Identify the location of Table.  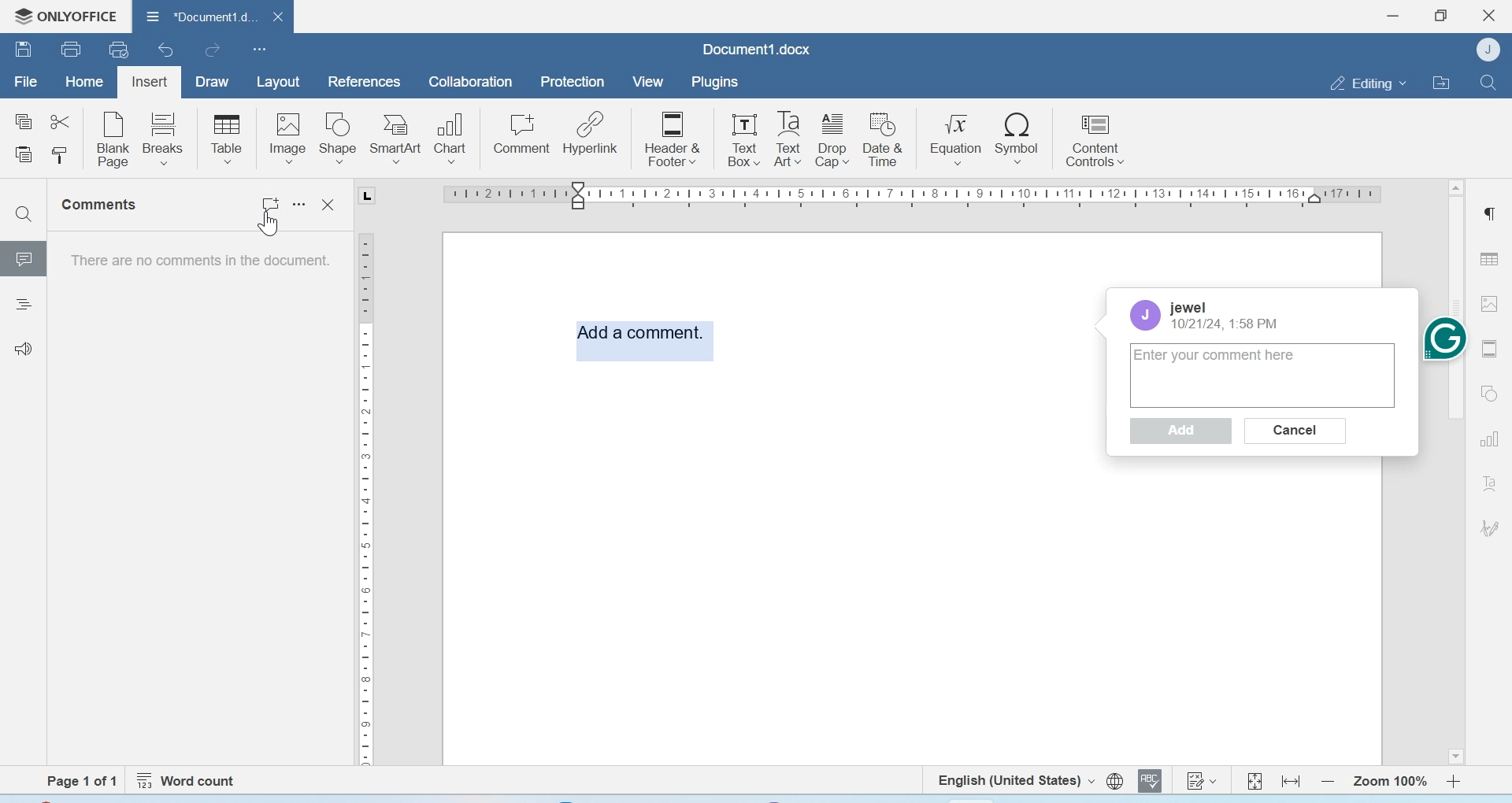
(1489, 258).